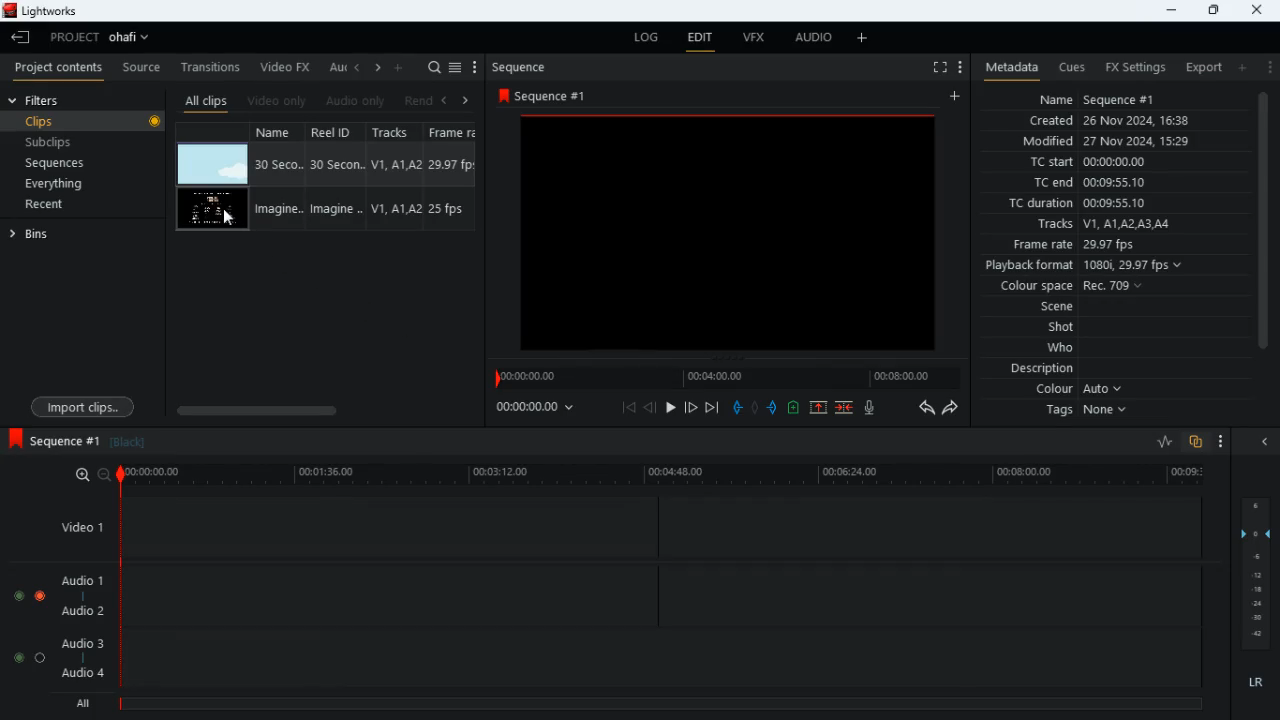  What do you see at coordinates (358, 67) in the screenshot?
I see `left` at bounding box center [358, 67].